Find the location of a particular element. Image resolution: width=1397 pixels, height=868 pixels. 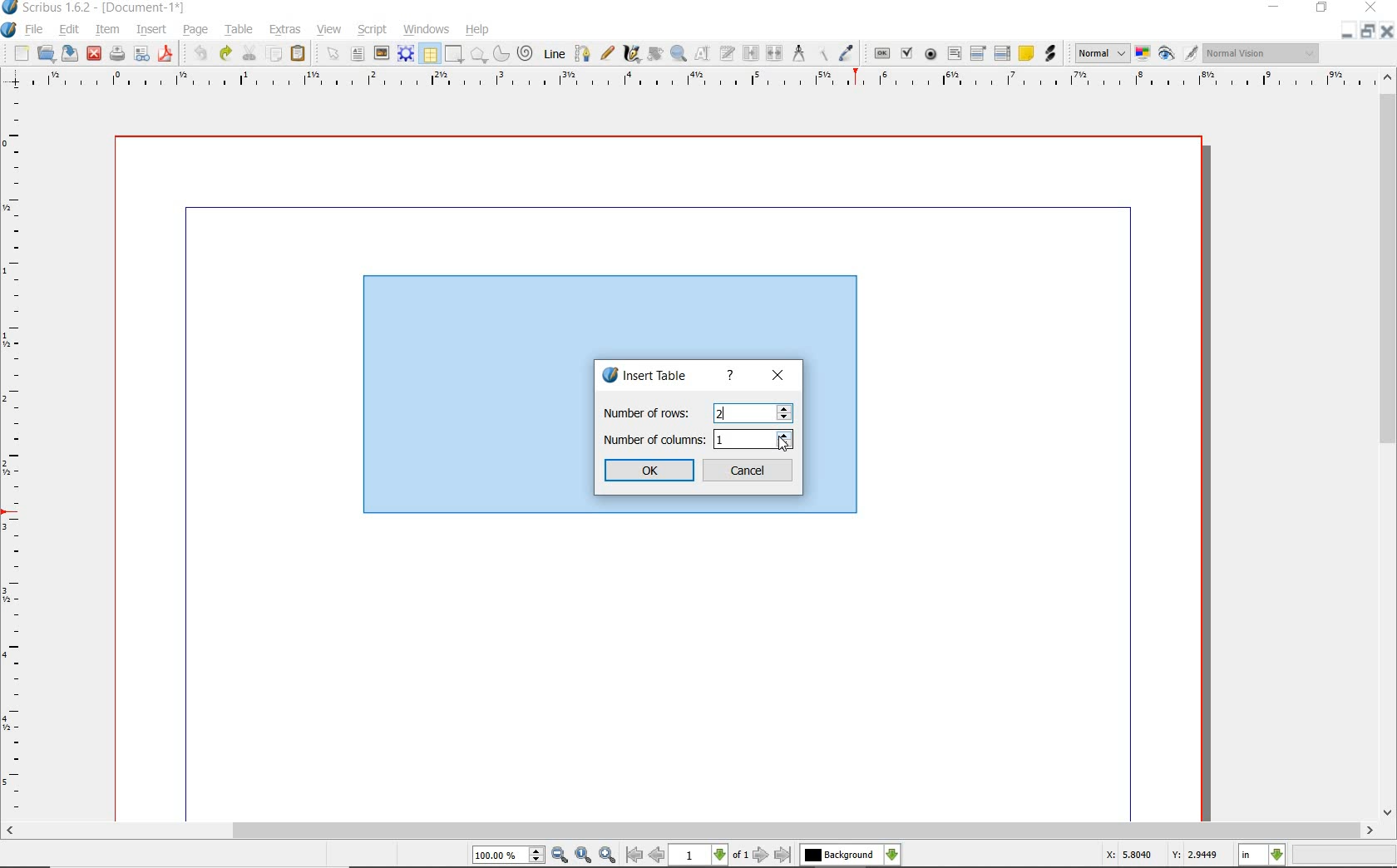

toggle color management system is located at coordinates (1144, 55).